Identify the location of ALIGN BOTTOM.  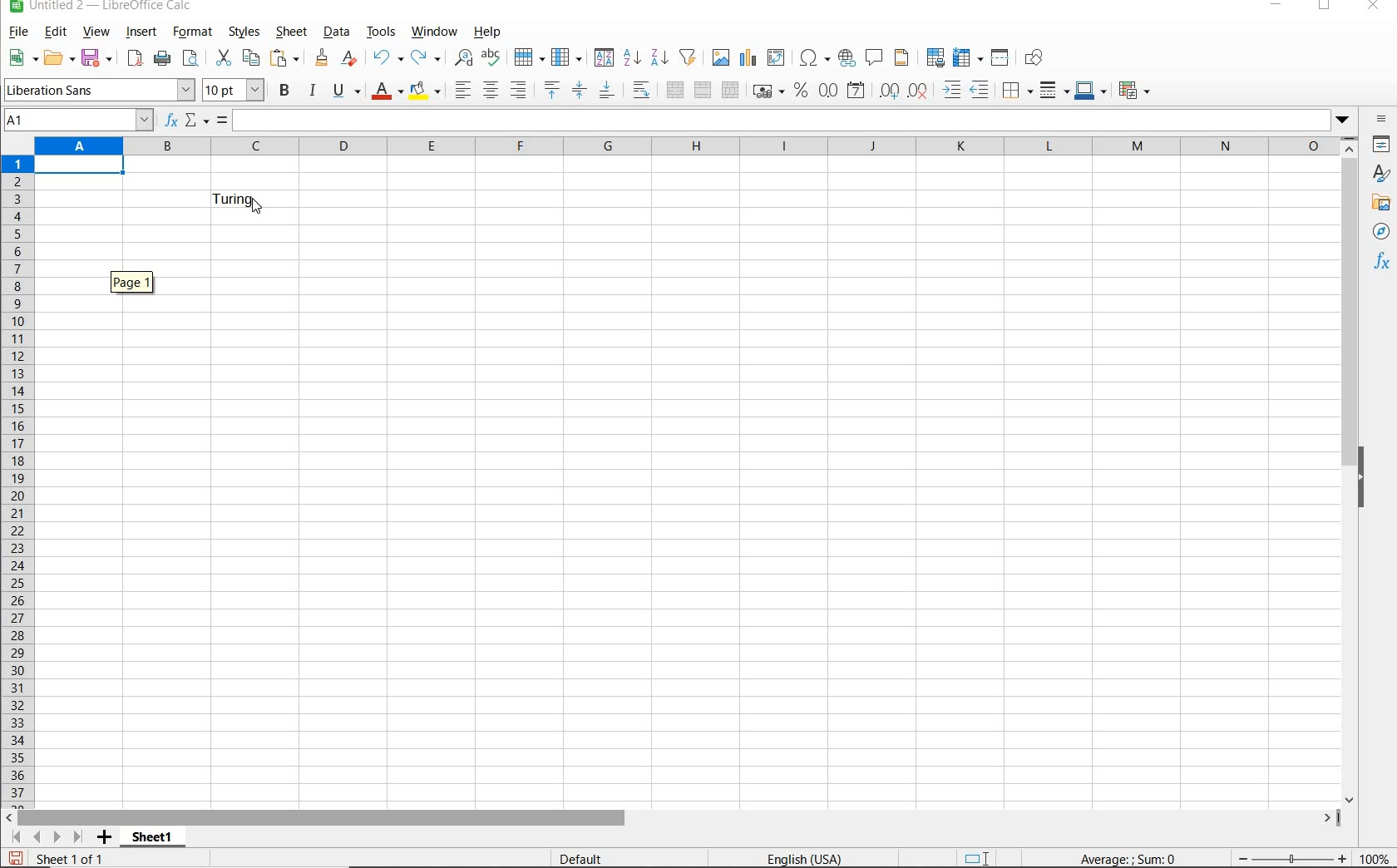
(605, 91).